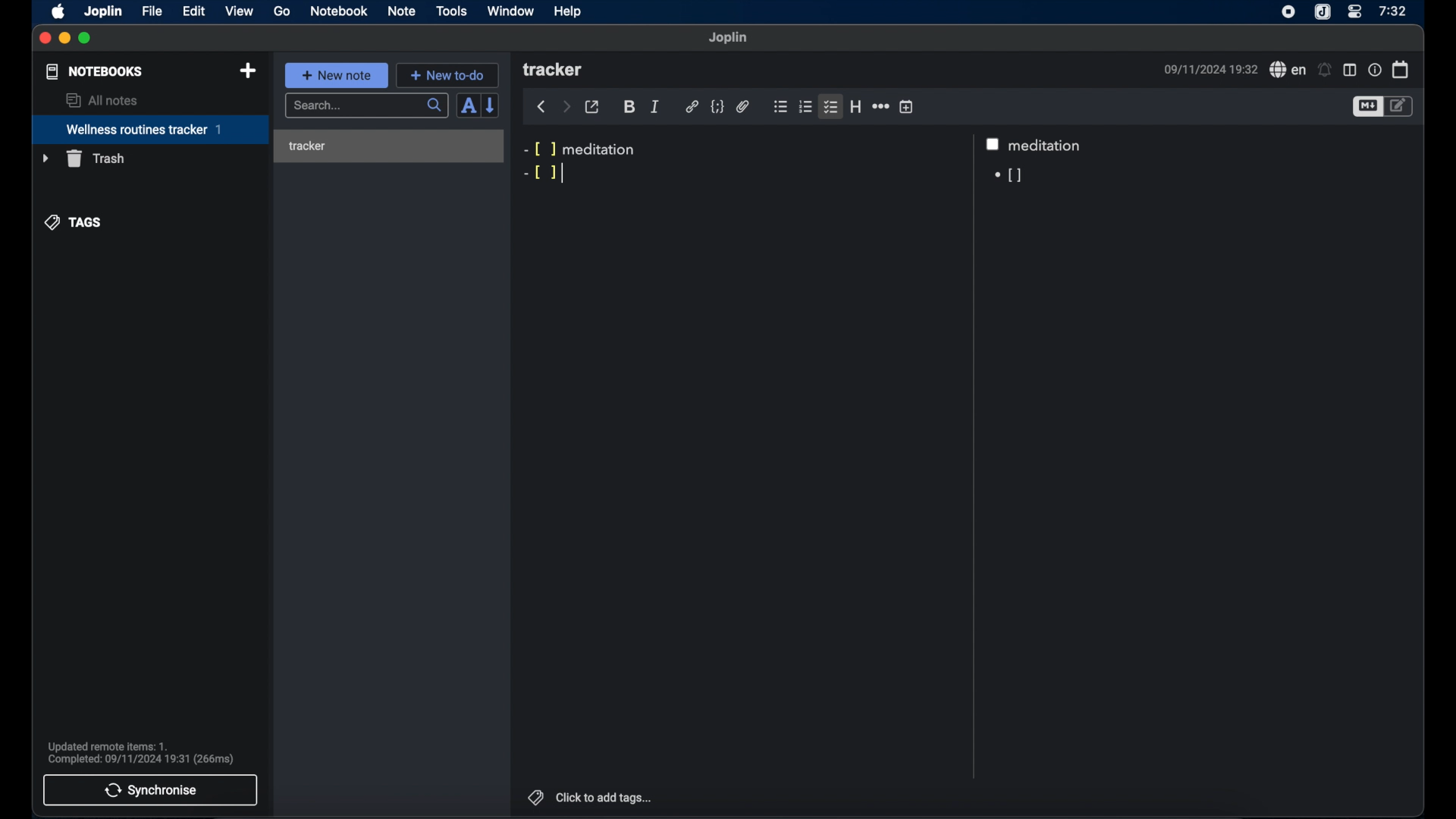 The image size is (1456, 819). I want to click on code, so click(717, 107).